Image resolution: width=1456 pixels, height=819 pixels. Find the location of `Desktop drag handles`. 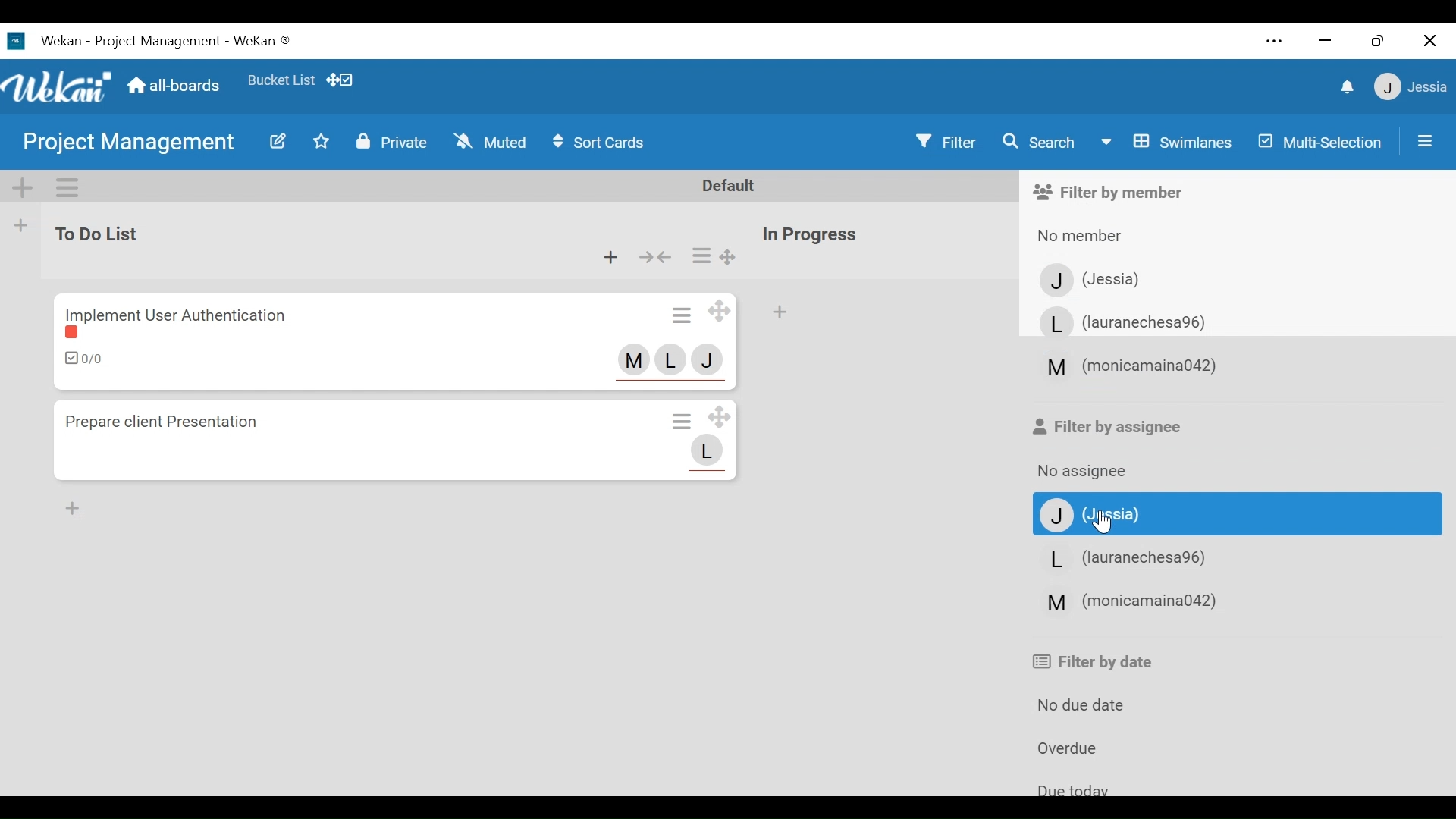

Desktop drag handles is located at coordinates (723, 417).